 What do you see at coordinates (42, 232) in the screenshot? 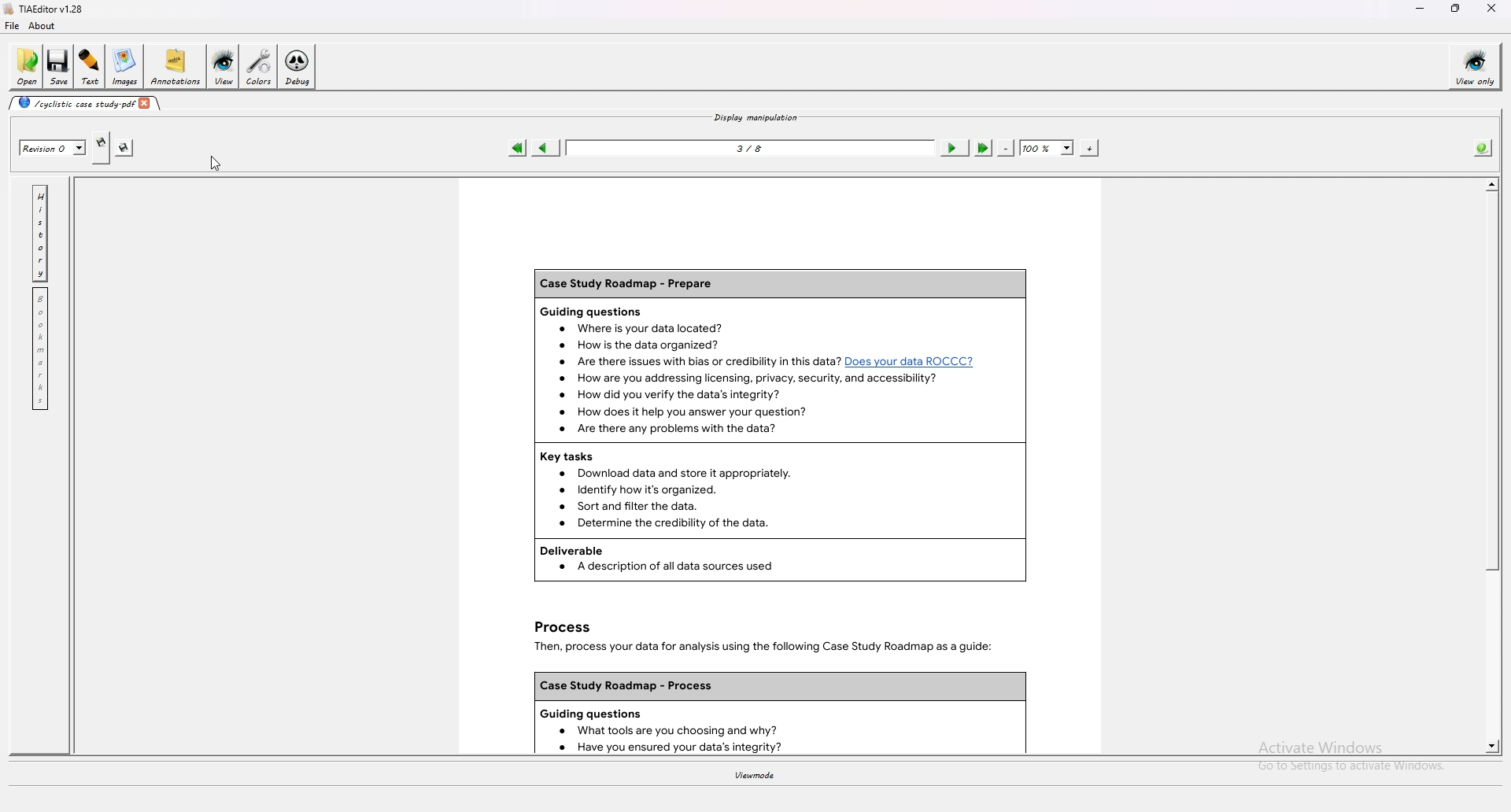
I see `history` at bounding box center [42, 232].